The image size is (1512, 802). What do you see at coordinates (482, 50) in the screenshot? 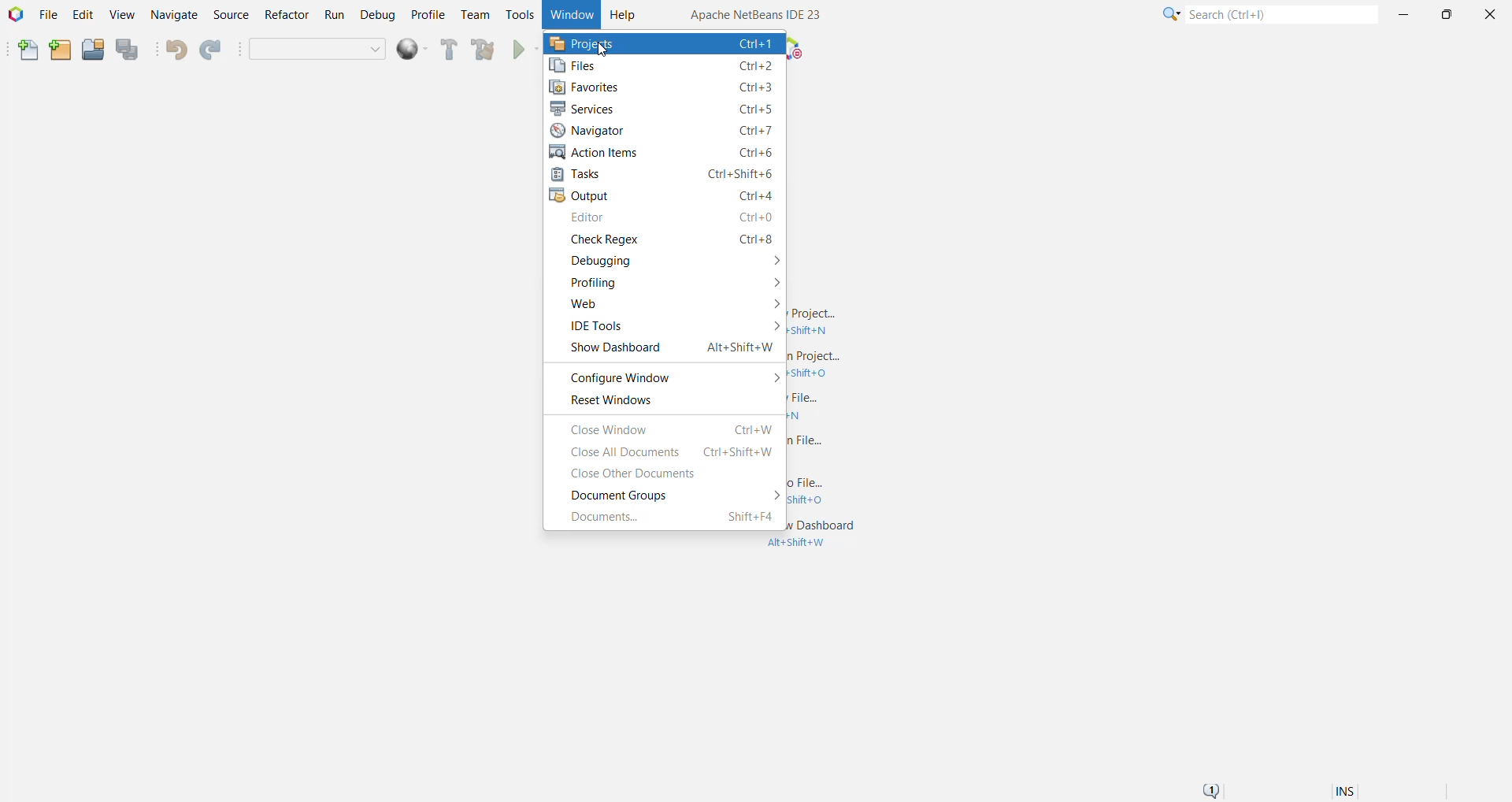
I see `Clean and build Project` at bounding box center [482, 50].